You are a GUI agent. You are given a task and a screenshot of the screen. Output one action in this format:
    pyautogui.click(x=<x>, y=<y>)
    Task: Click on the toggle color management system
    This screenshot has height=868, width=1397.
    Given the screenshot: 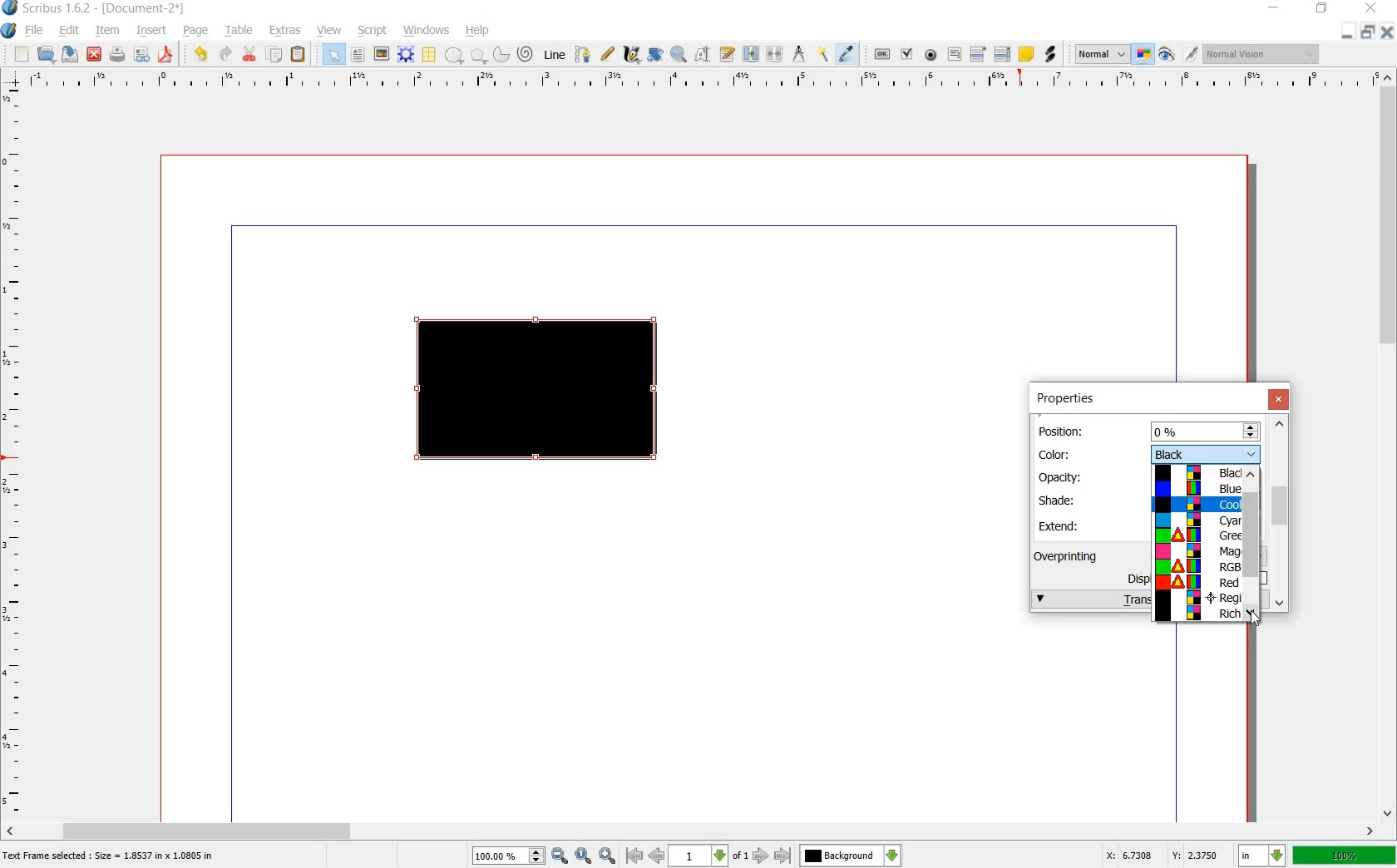 What is the action you would take?
    pyautogui.click(x=1144, y=55)
    